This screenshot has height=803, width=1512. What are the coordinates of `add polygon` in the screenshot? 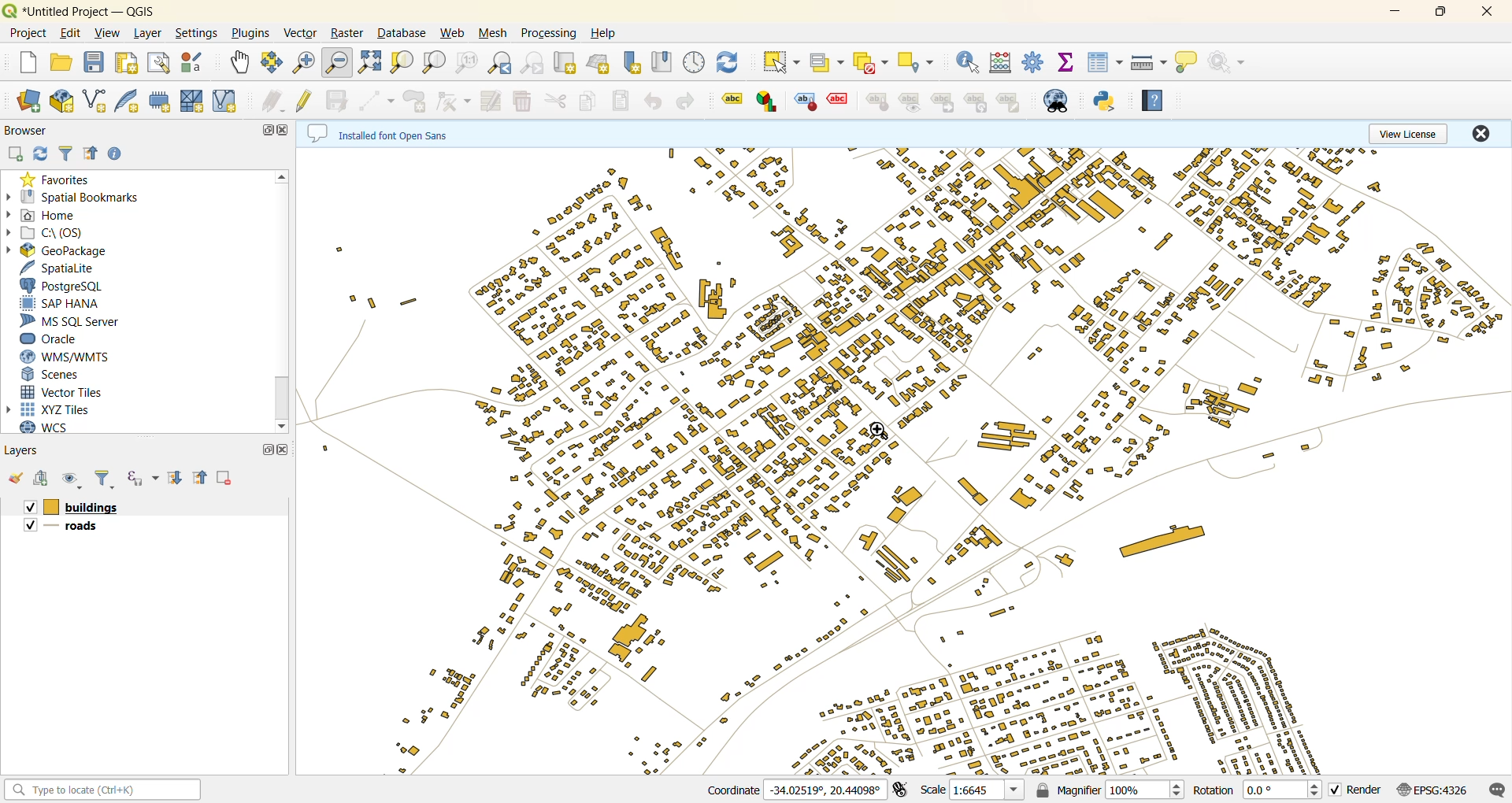 It's located at (416, 101).